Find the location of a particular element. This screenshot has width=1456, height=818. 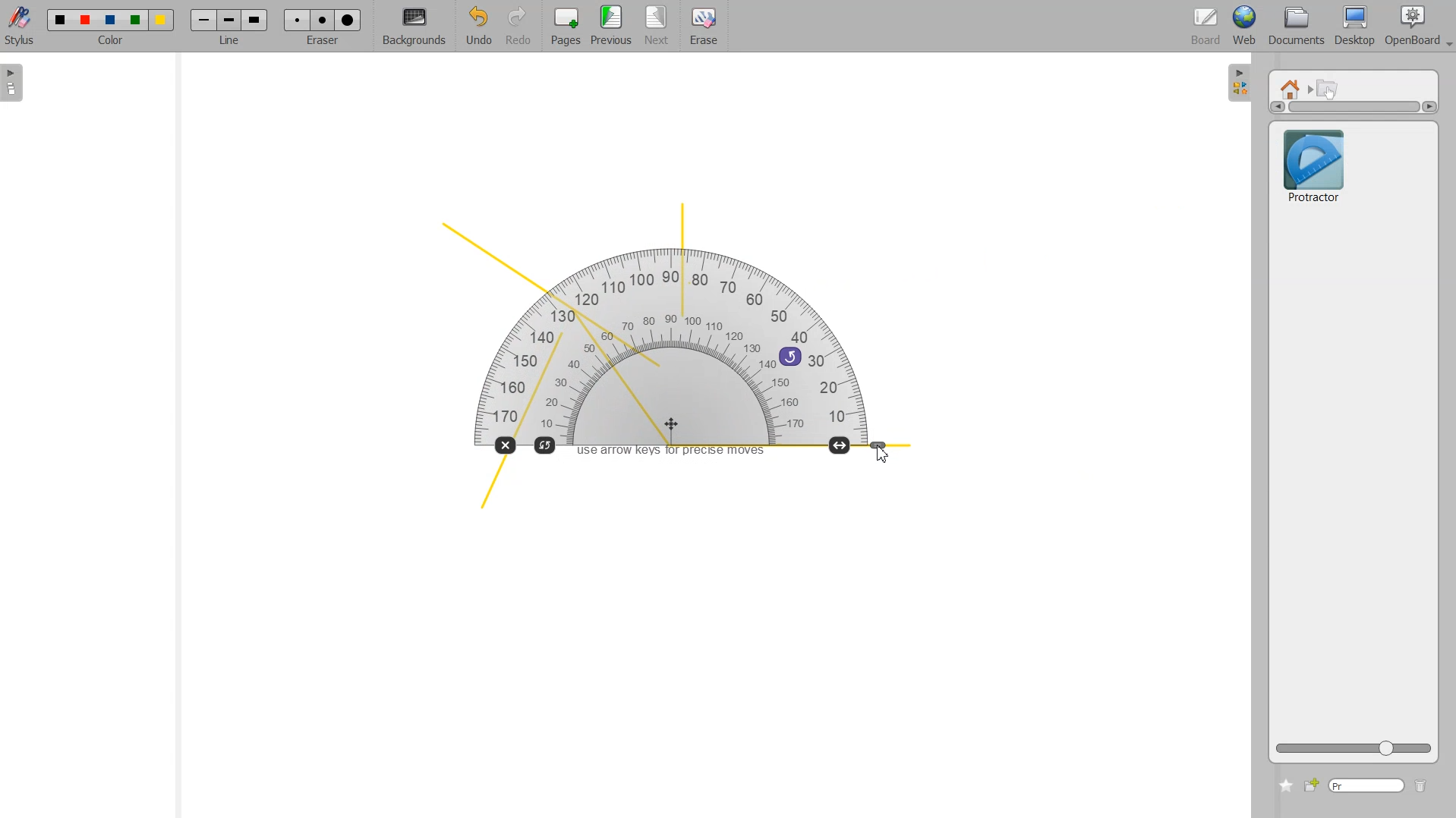

Protractor is located at coordinates (1313, 164).